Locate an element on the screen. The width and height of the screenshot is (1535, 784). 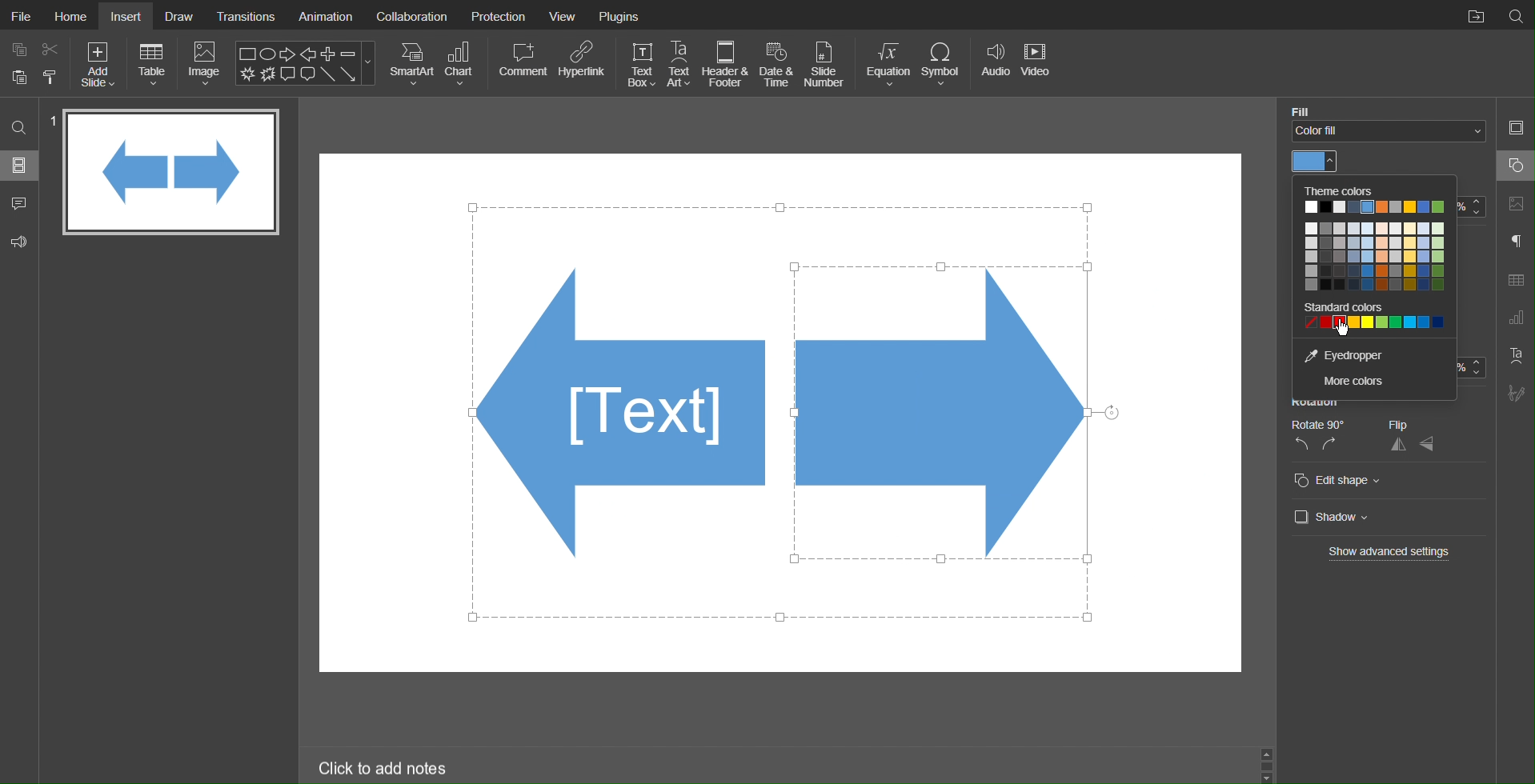
copy is located at coordinates (18, 48).